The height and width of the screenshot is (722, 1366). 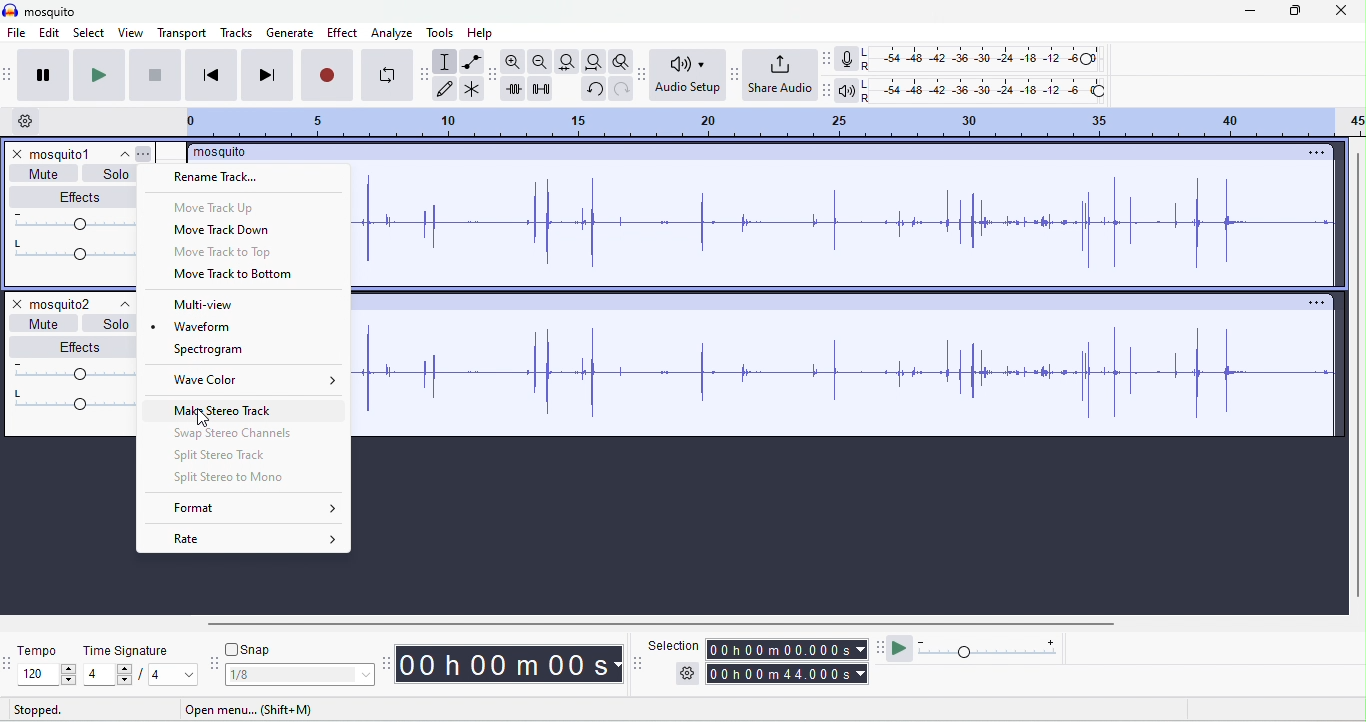 I want to click on zoom in, so click(x=514, y=62).